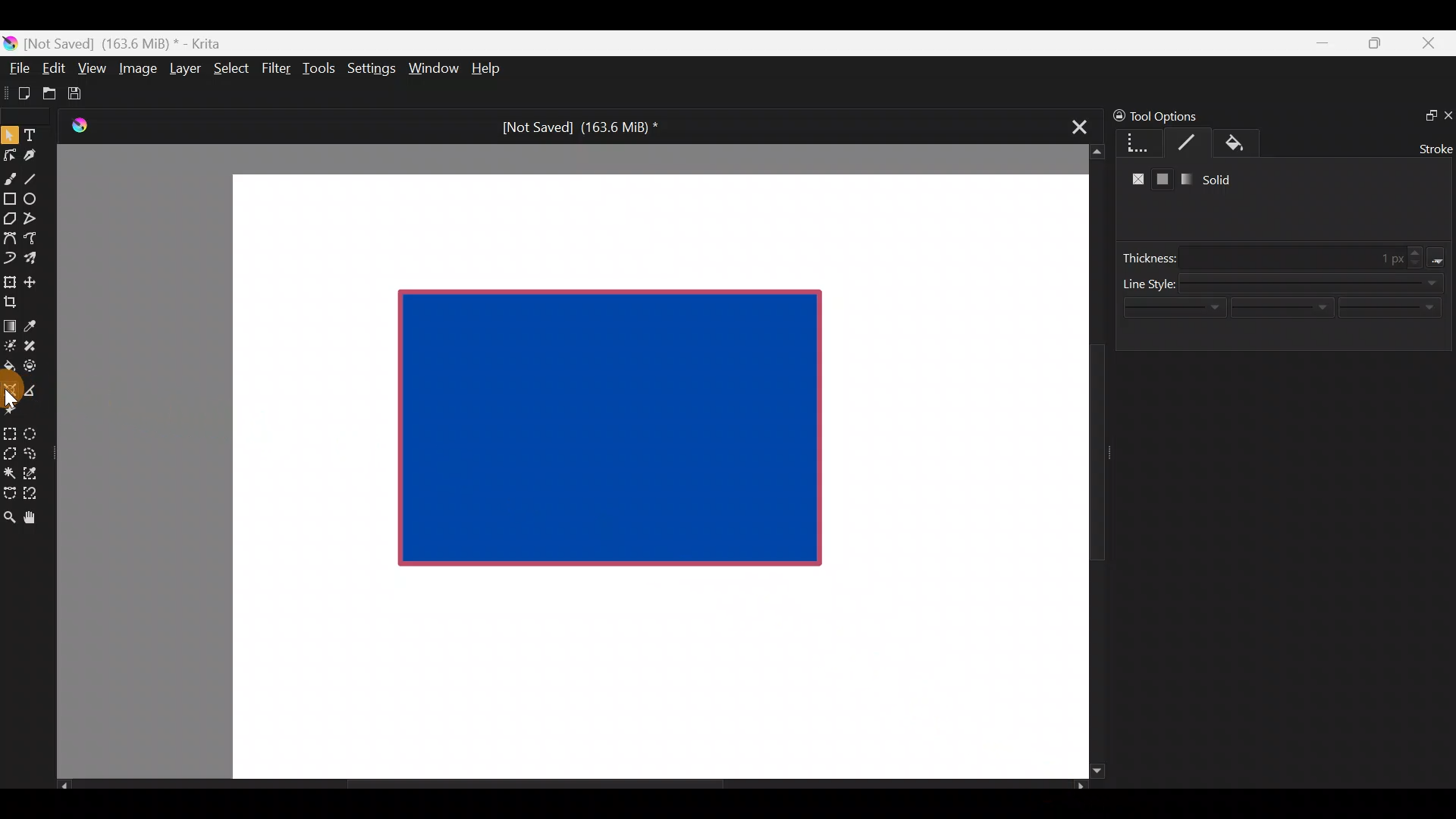 This screenshot has height=819, width=1456. I want to click on Close docker, so click(1447, 115).